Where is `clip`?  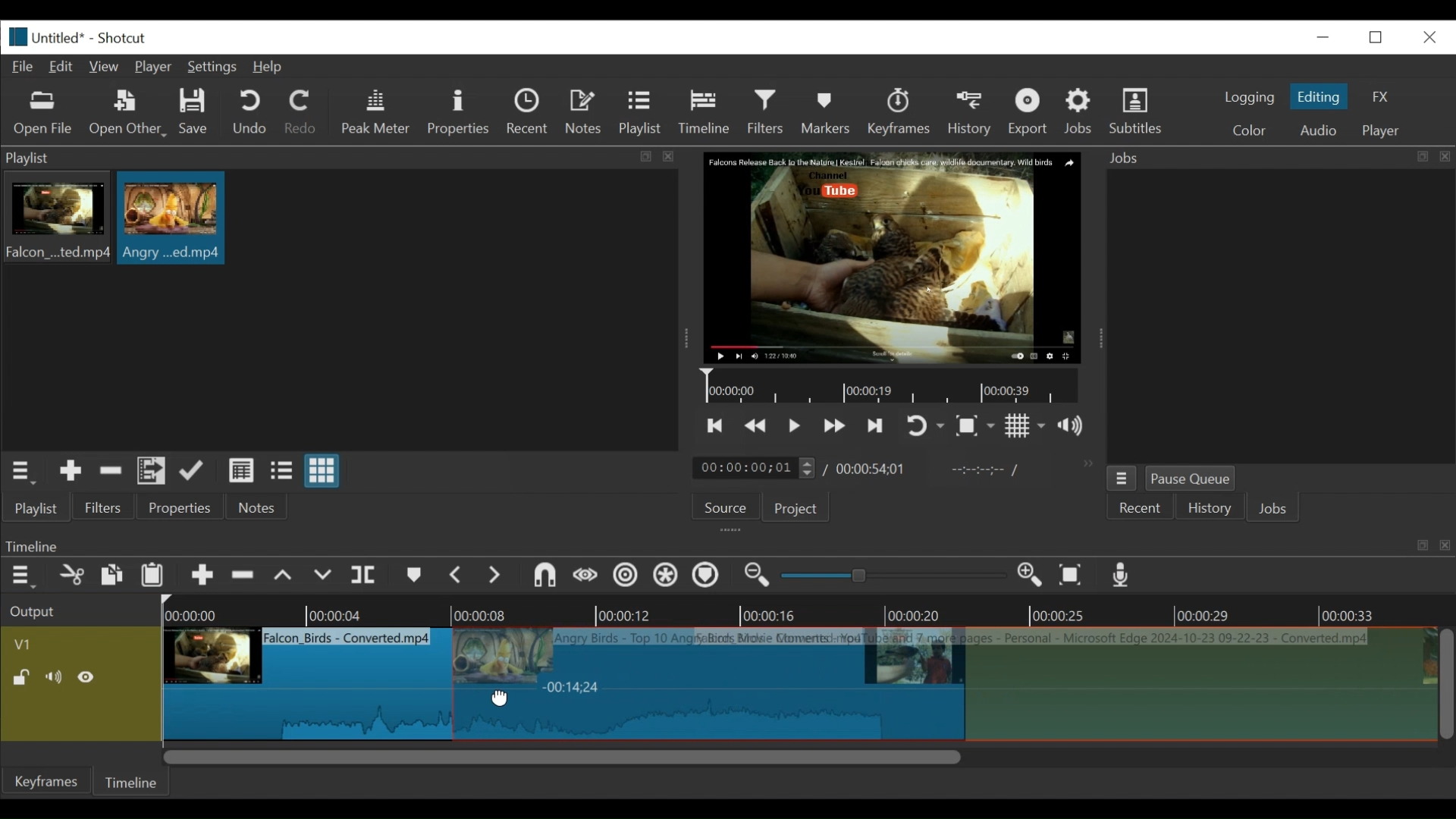
clip is located at coordinates (55, 220).